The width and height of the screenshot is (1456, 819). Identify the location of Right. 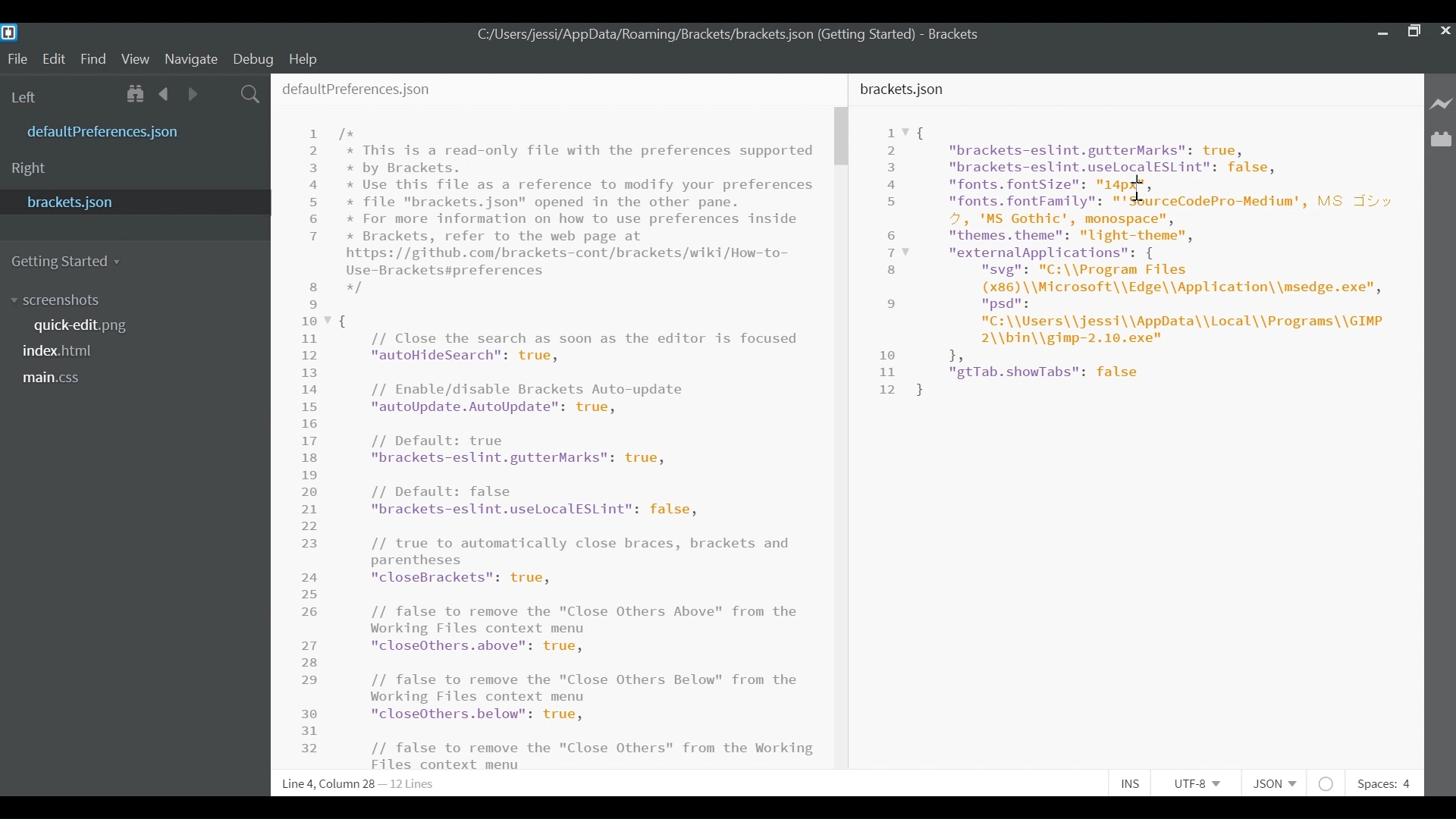
(29, 170).